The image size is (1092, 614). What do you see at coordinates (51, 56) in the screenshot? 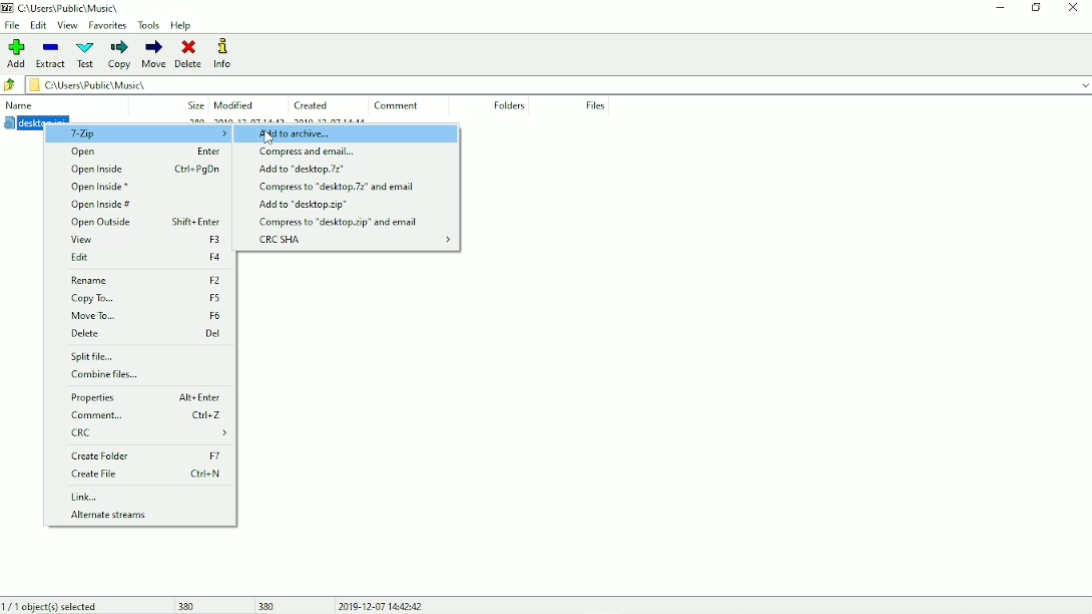
I see `Extract` at bounding box center [51, 56].